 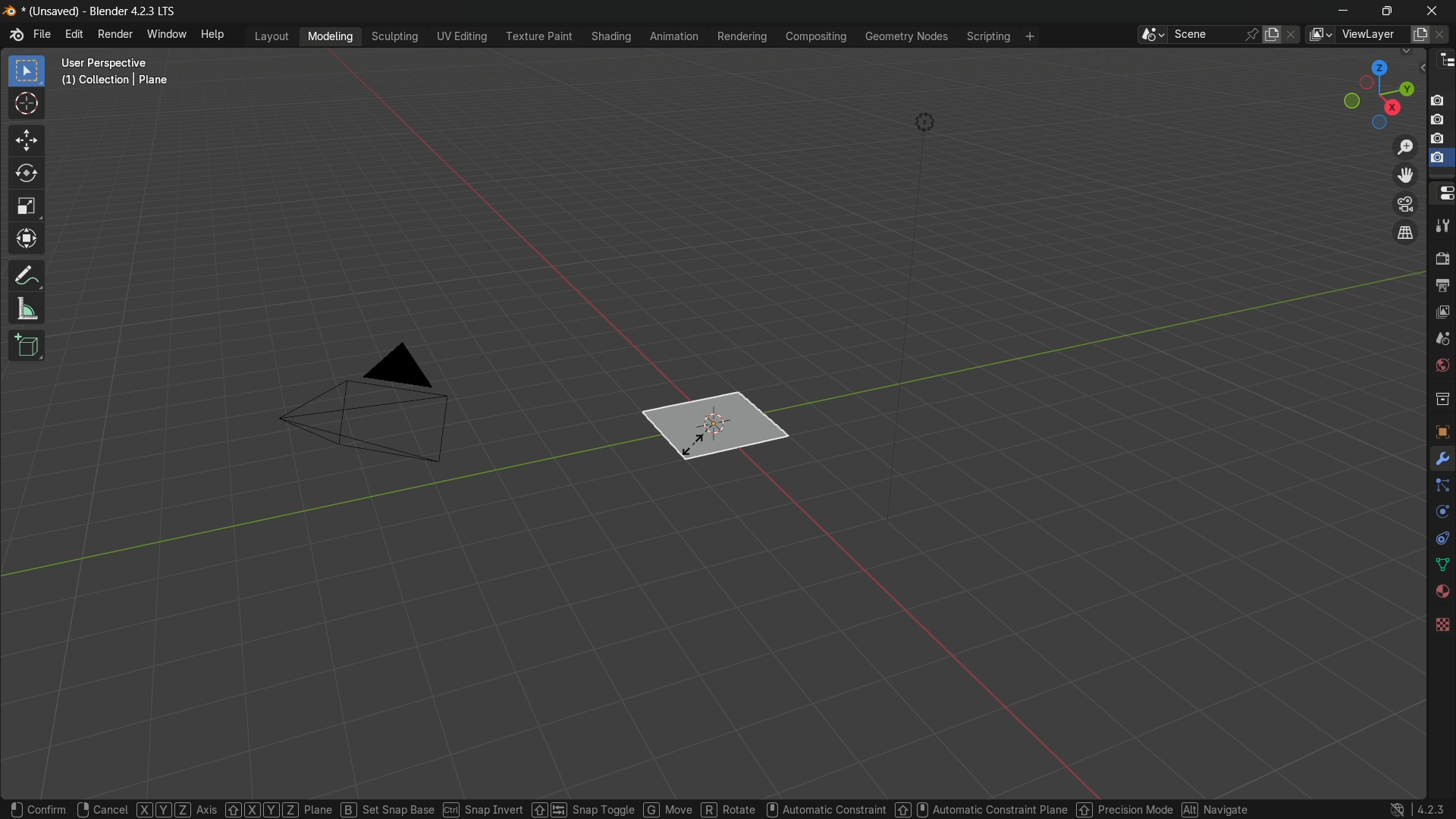 I want to click on scene, so click(x=1439, y=338).